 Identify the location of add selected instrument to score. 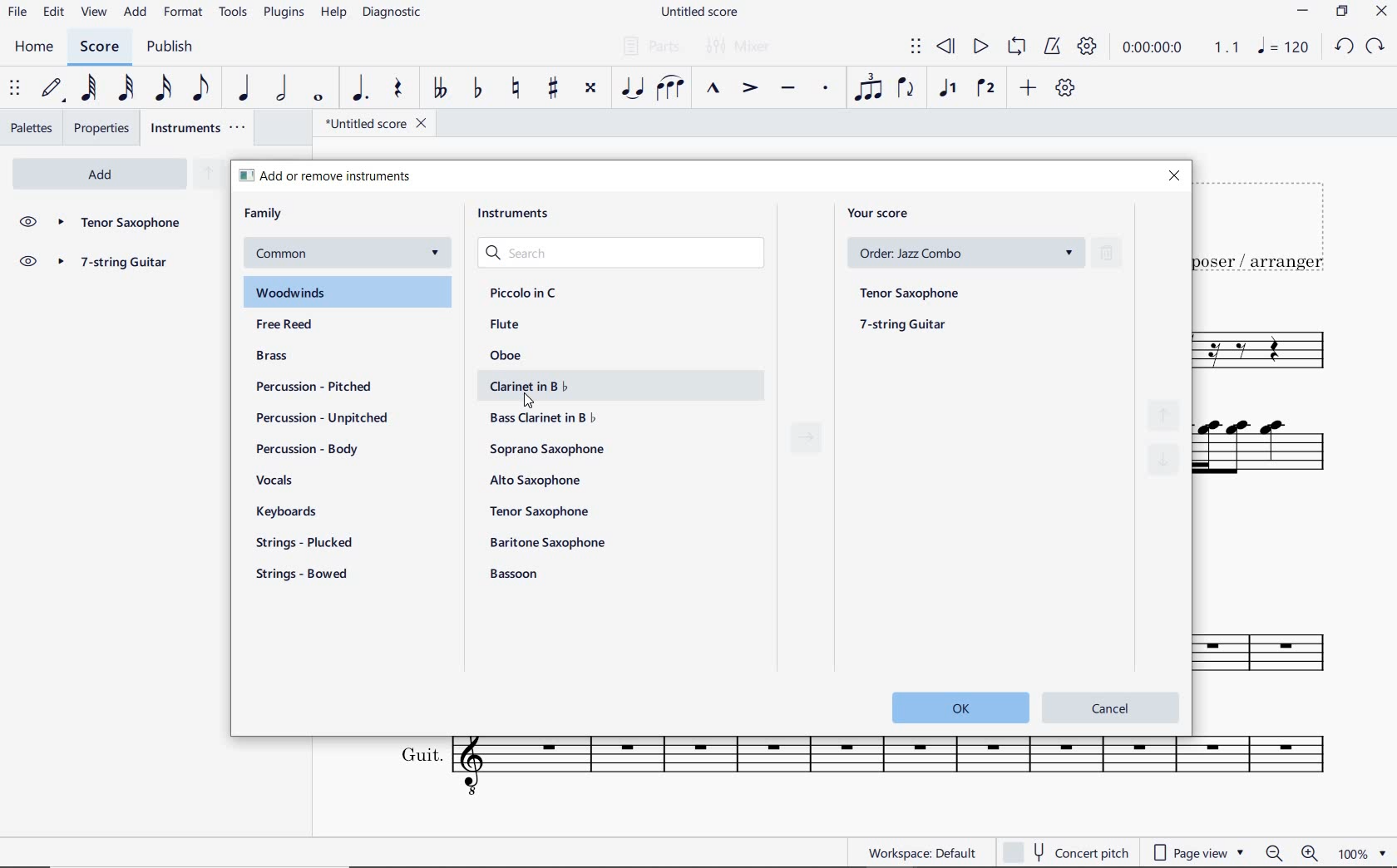
(807, 442).